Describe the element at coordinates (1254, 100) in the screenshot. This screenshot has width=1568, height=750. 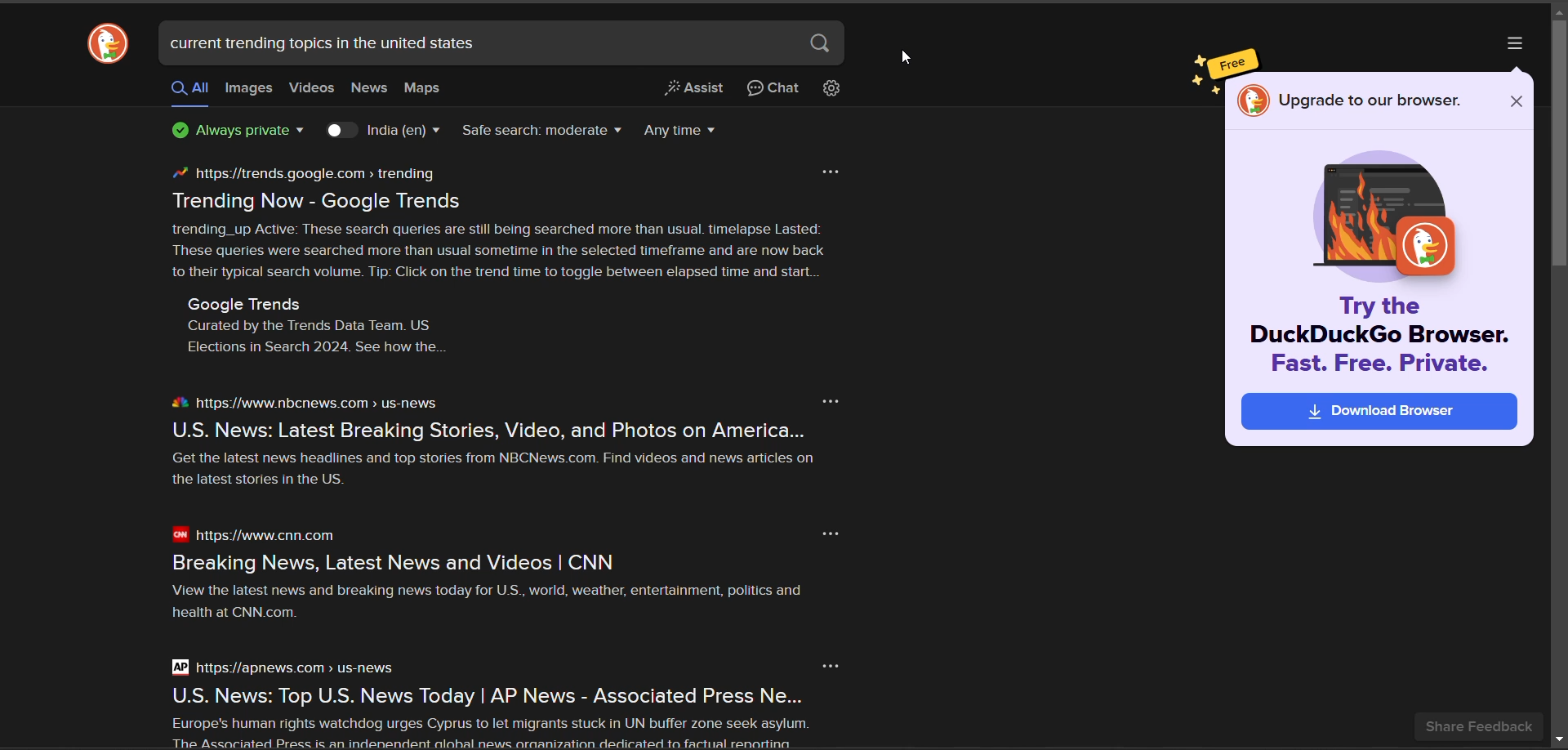
I see `logo` at that location.